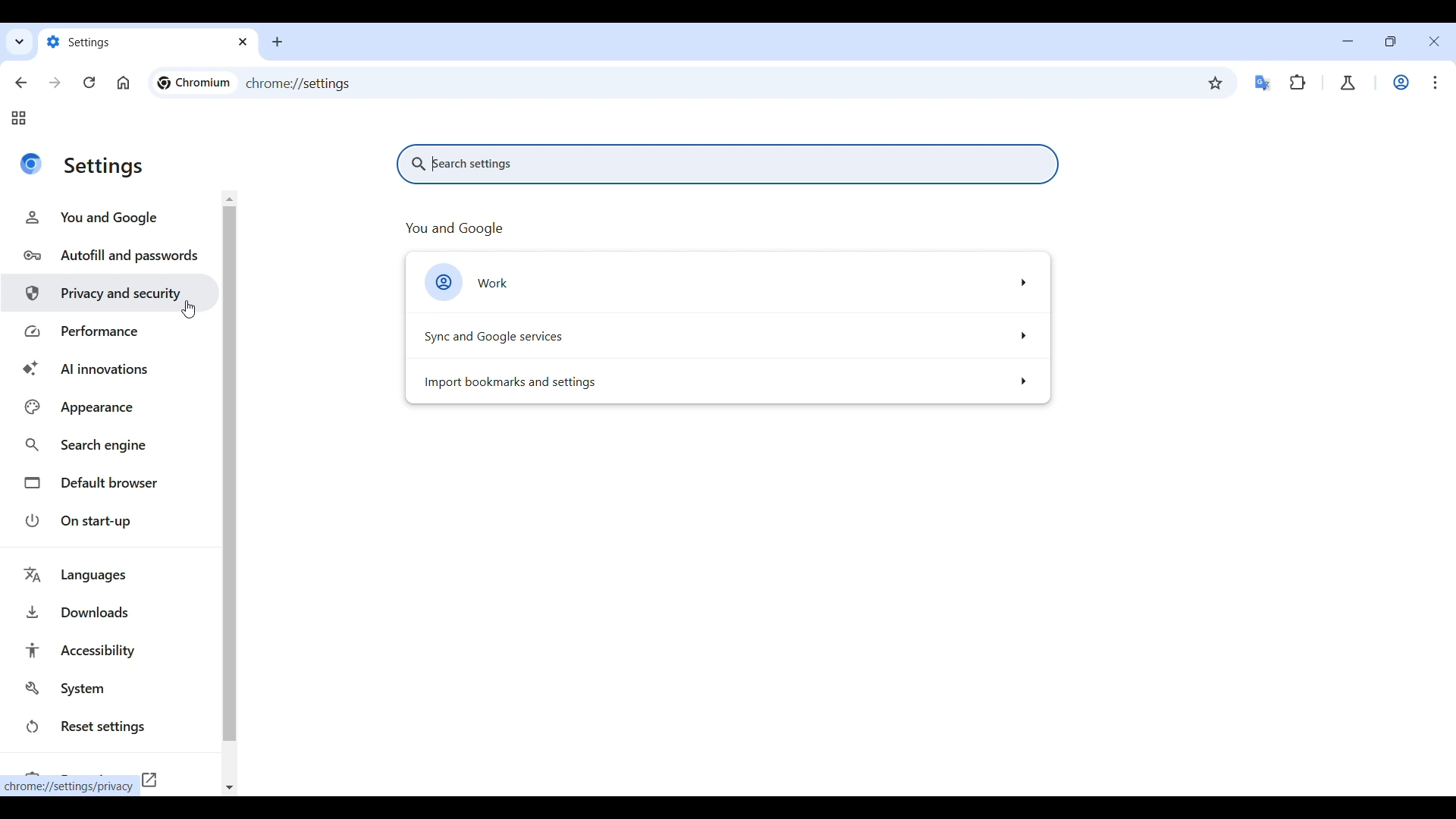 The width and height of the screenshot is (1456, 819). I want to click on Languages, so click(113, 575).